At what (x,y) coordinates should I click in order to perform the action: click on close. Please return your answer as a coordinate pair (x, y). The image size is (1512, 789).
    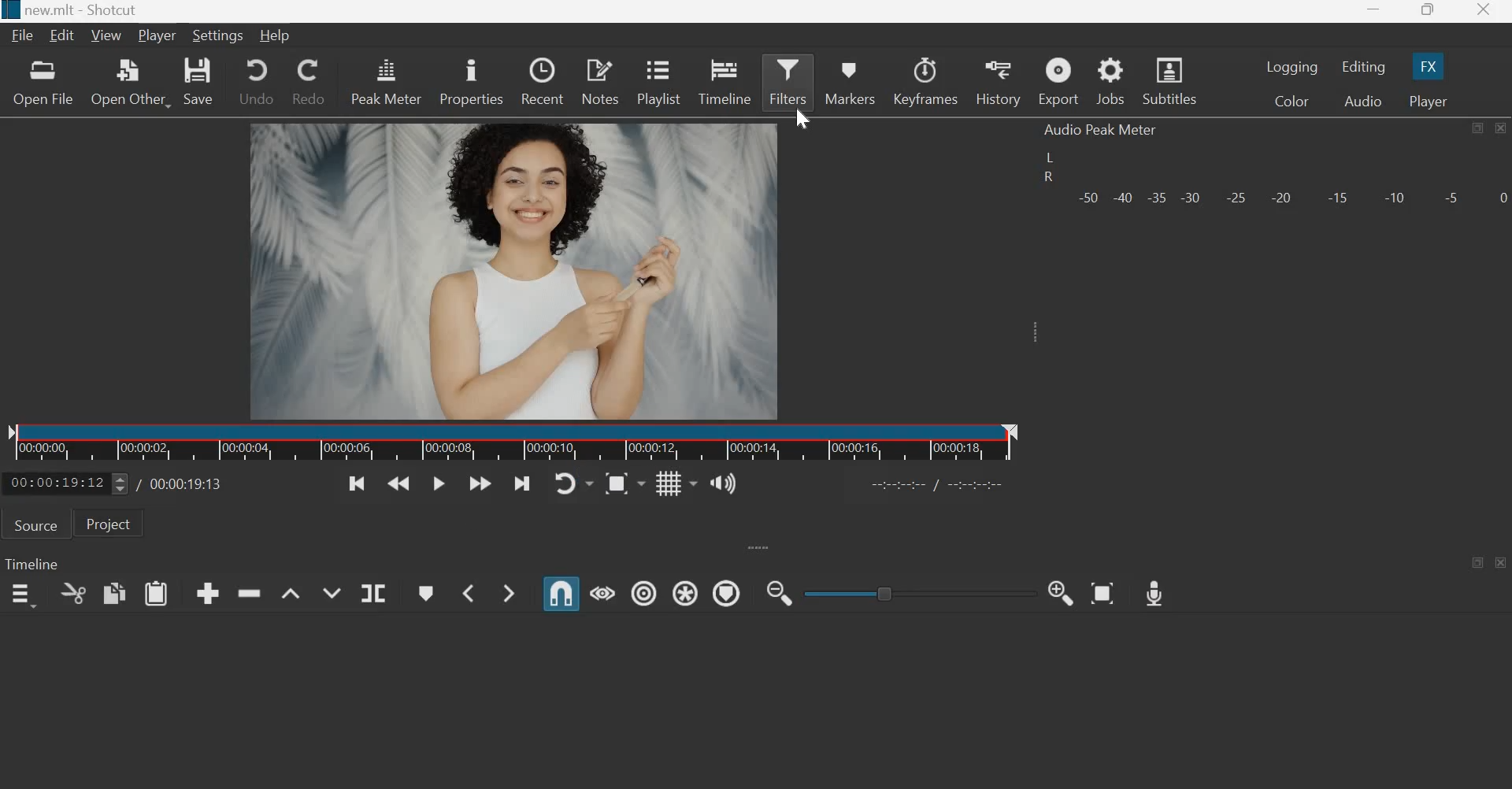
    Looking at the image, I should click on (1499, 128).